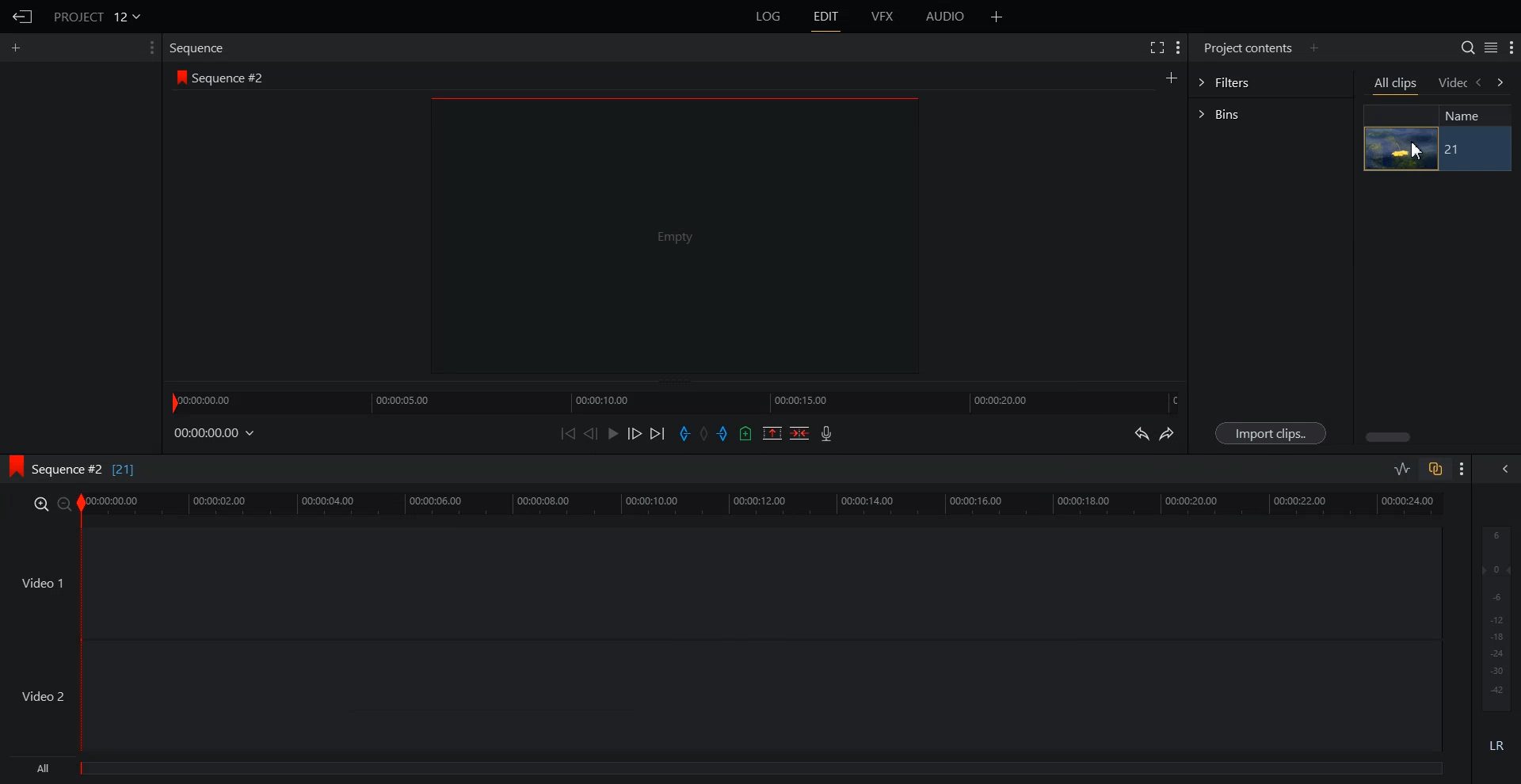  What do you see at coordinates (676, 401) in the screenshot?
I see `Slider` at bounding box center [676, 401].